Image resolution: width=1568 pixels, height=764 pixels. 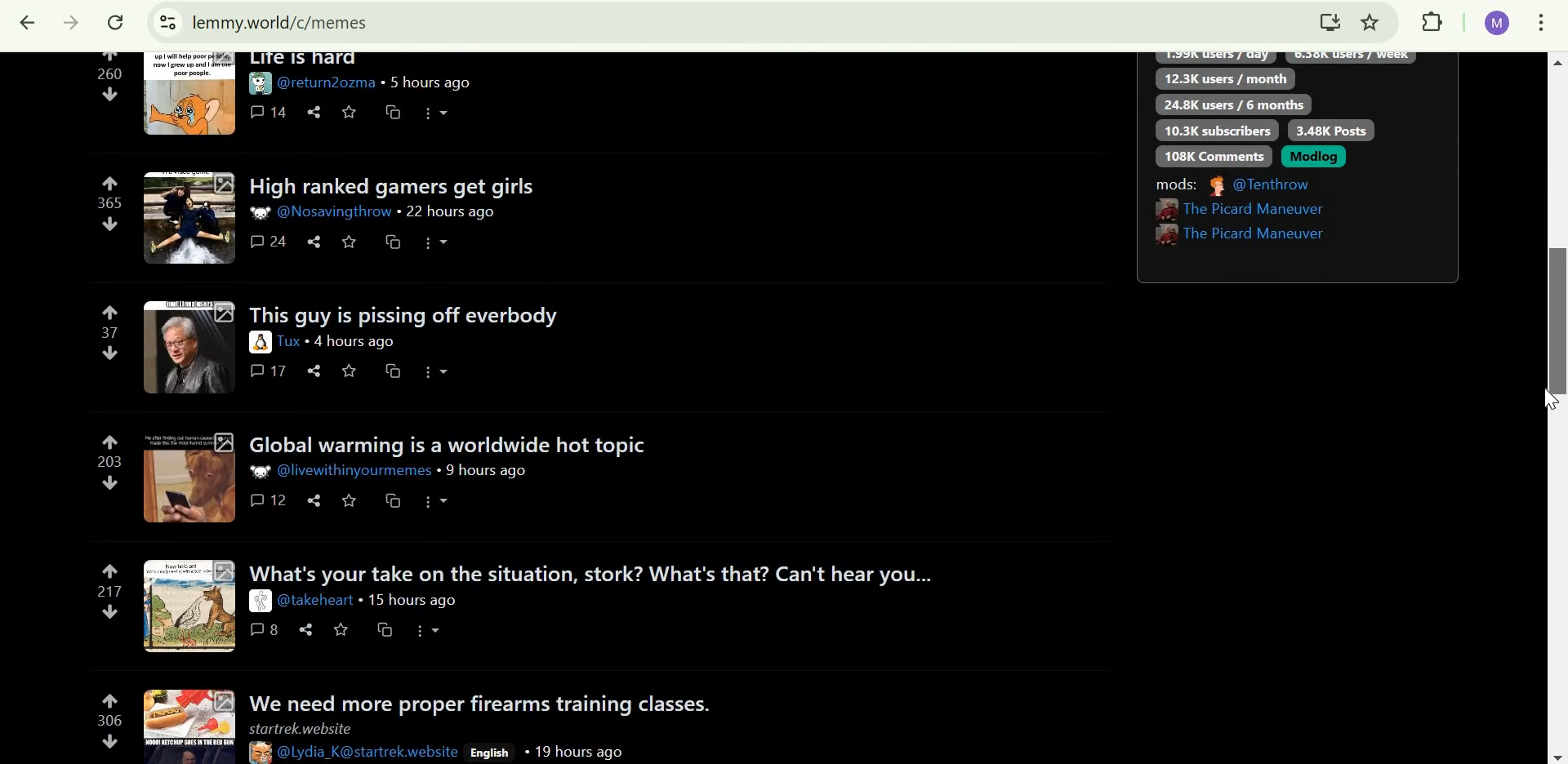 I want to click on 22 hours ago, so click(x=452, y=212).